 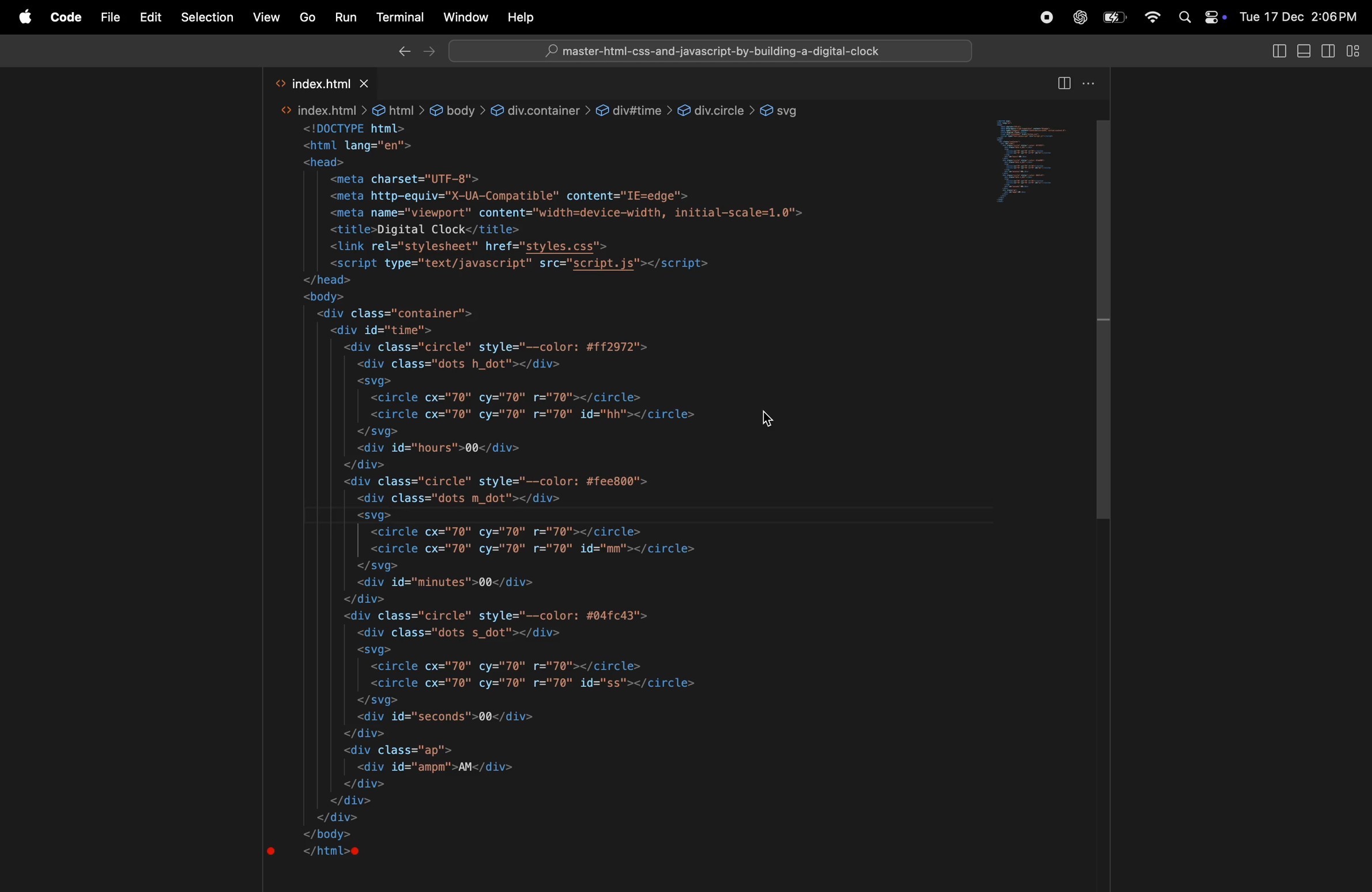 What do you see at coordinates (346, 16) in the screenshot?
I see `run` at bounding box center [346, 16].